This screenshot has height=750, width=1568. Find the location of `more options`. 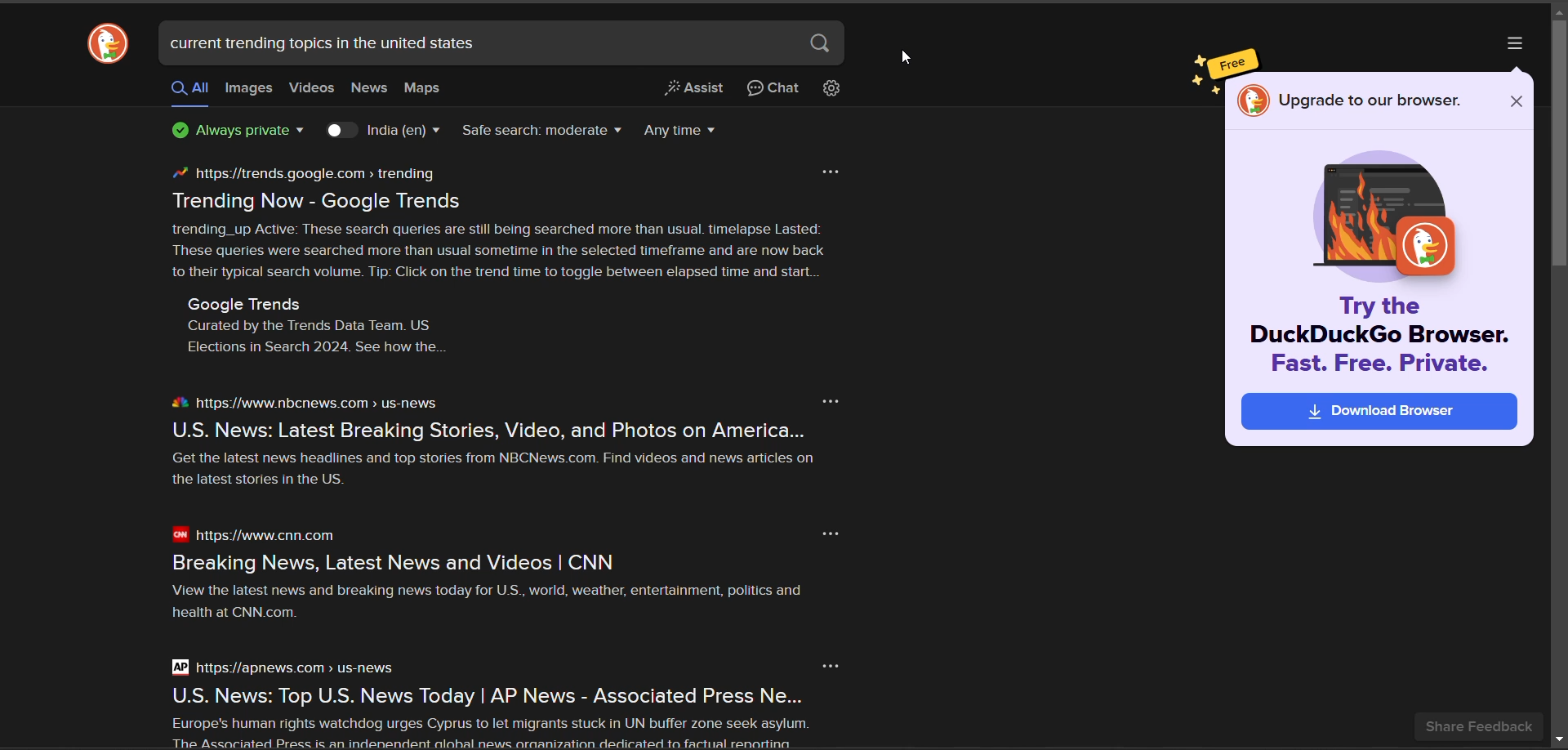

more options is located at coordinates (1514, 39).